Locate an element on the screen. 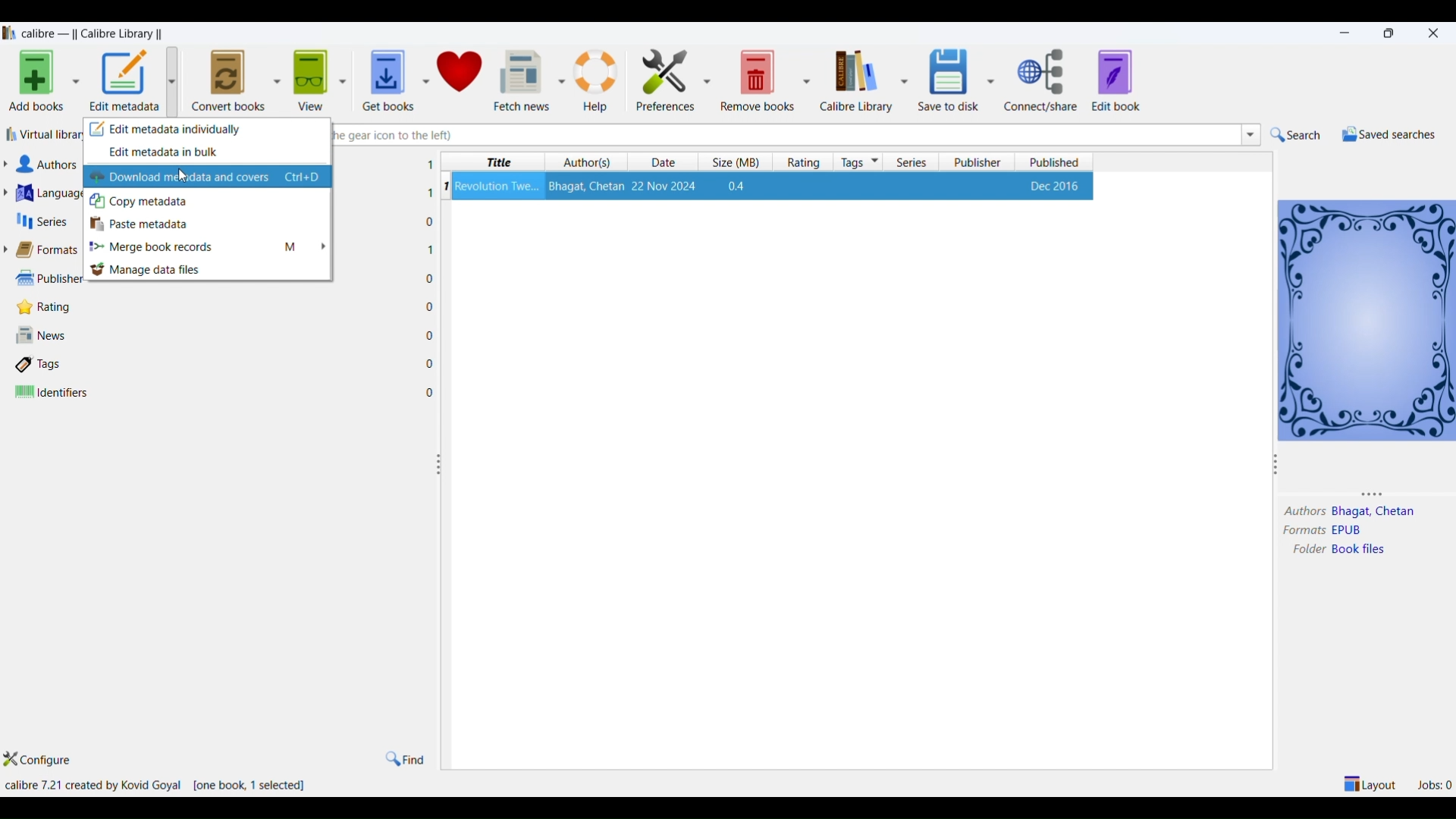 Image resolution: width=1456 pixels, height=819 pixels. preferences is located at coordinates (661, 77).